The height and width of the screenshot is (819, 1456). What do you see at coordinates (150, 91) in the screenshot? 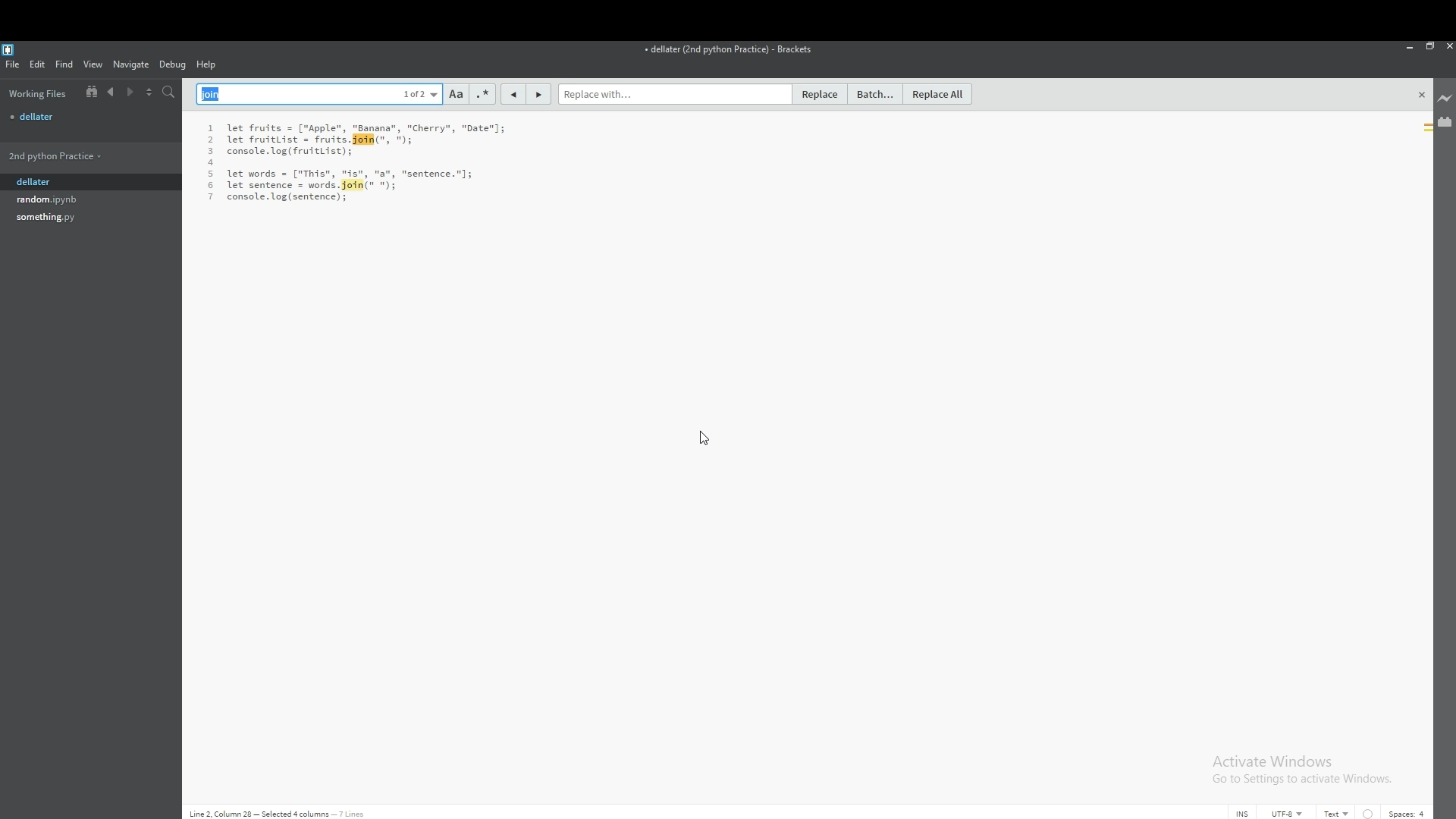
I see `split view` at bounding box center [150, 91].